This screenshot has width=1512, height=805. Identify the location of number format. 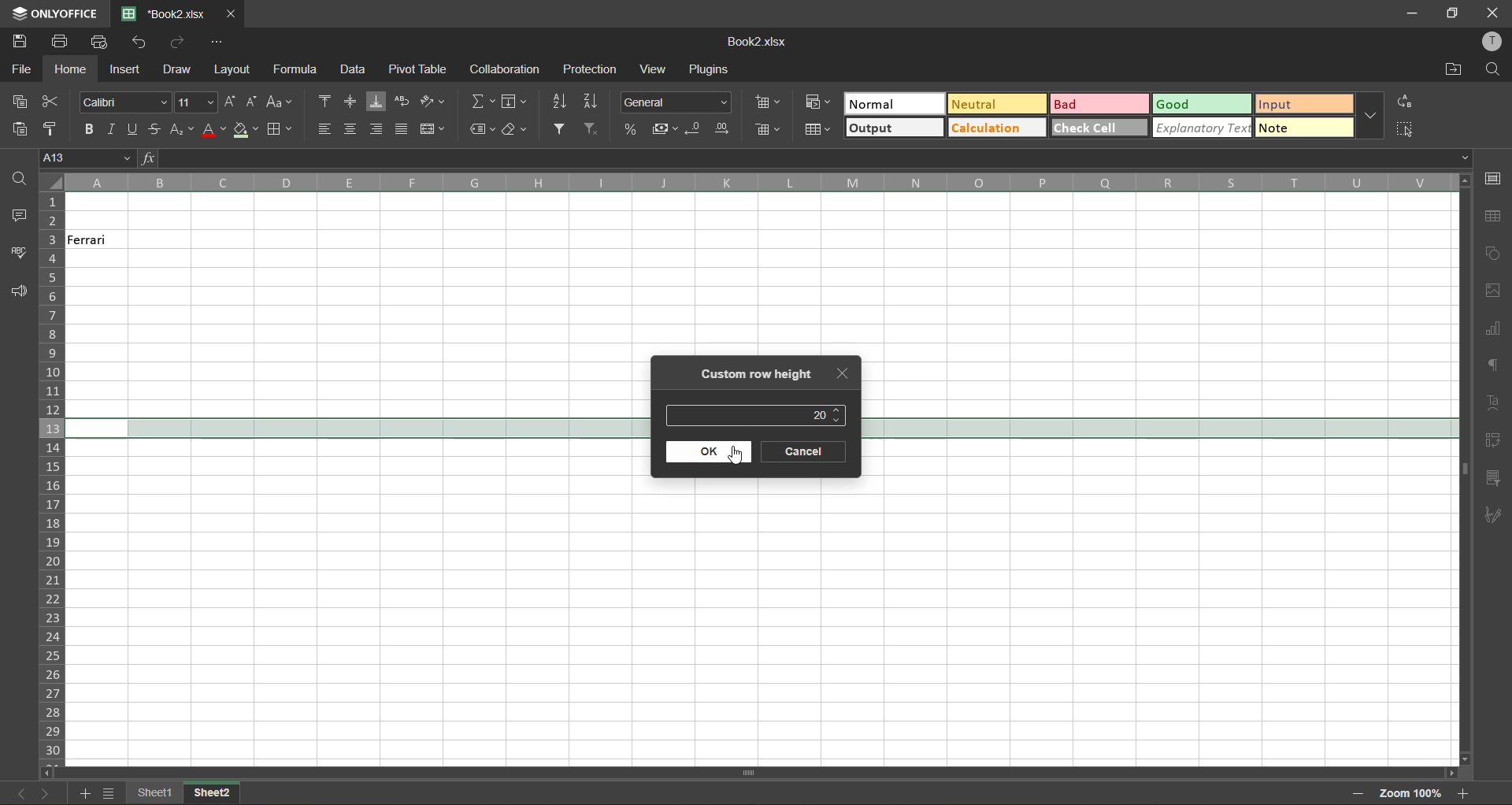
(675, 103).